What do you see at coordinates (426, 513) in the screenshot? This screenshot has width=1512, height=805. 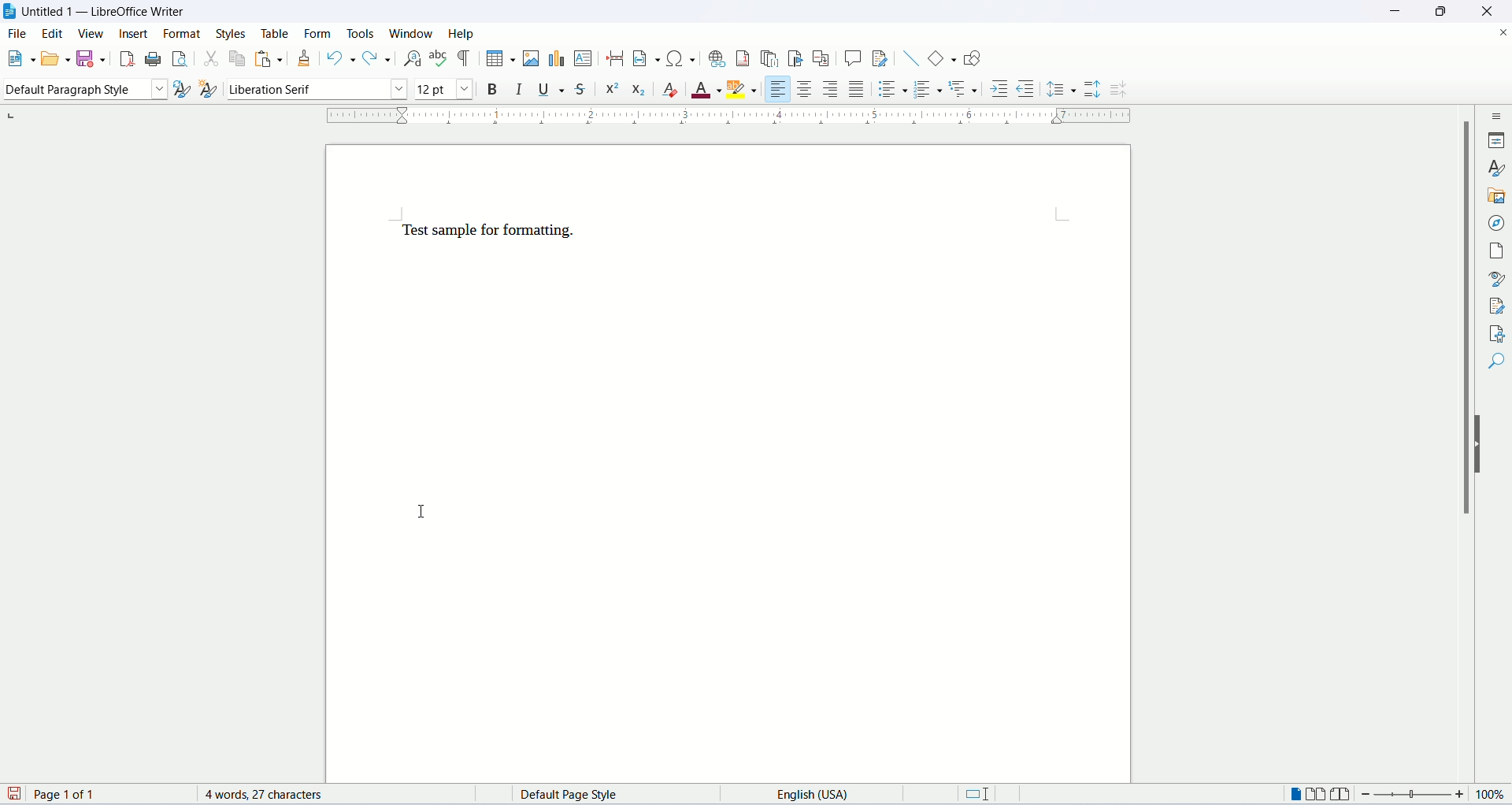 I see `cursor` at bounding box center [426, 513].